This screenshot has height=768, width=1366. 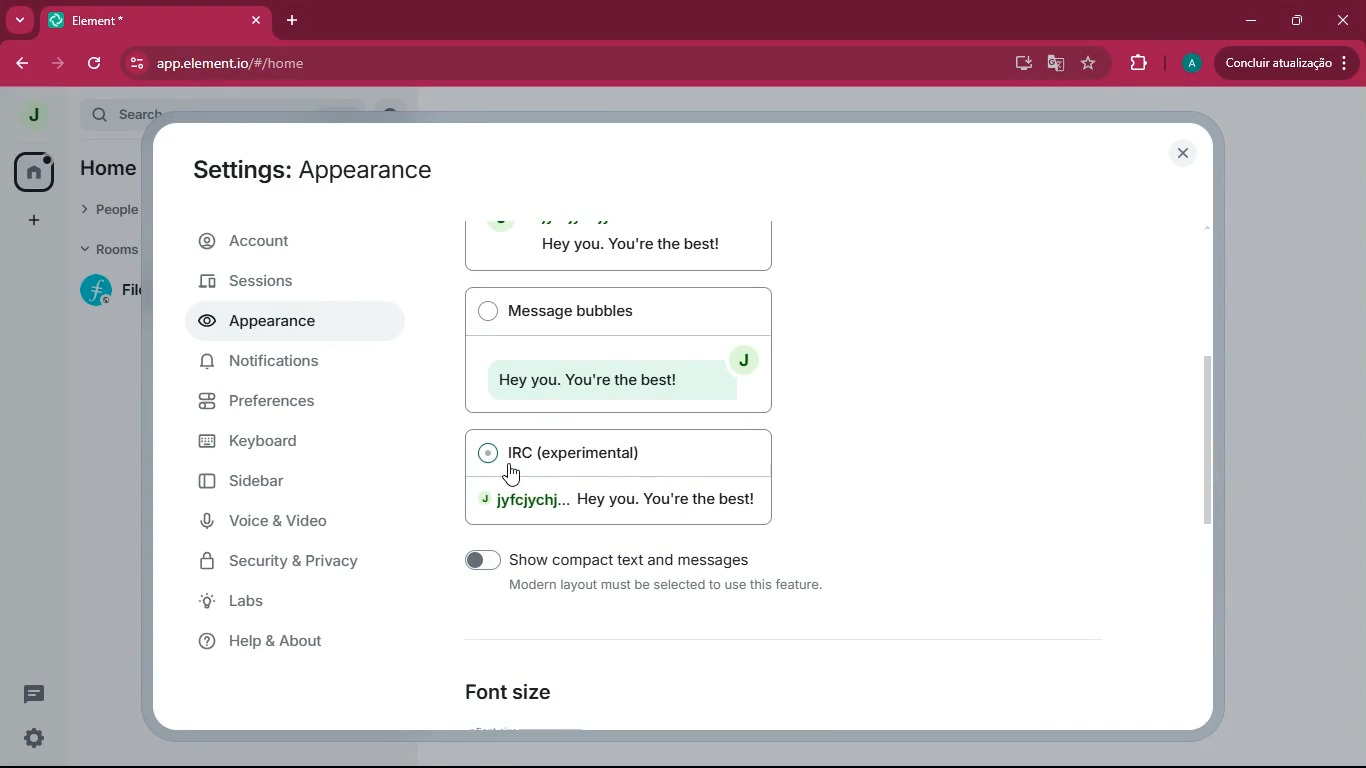 I want to click on close, so click(x=1341, y=20).